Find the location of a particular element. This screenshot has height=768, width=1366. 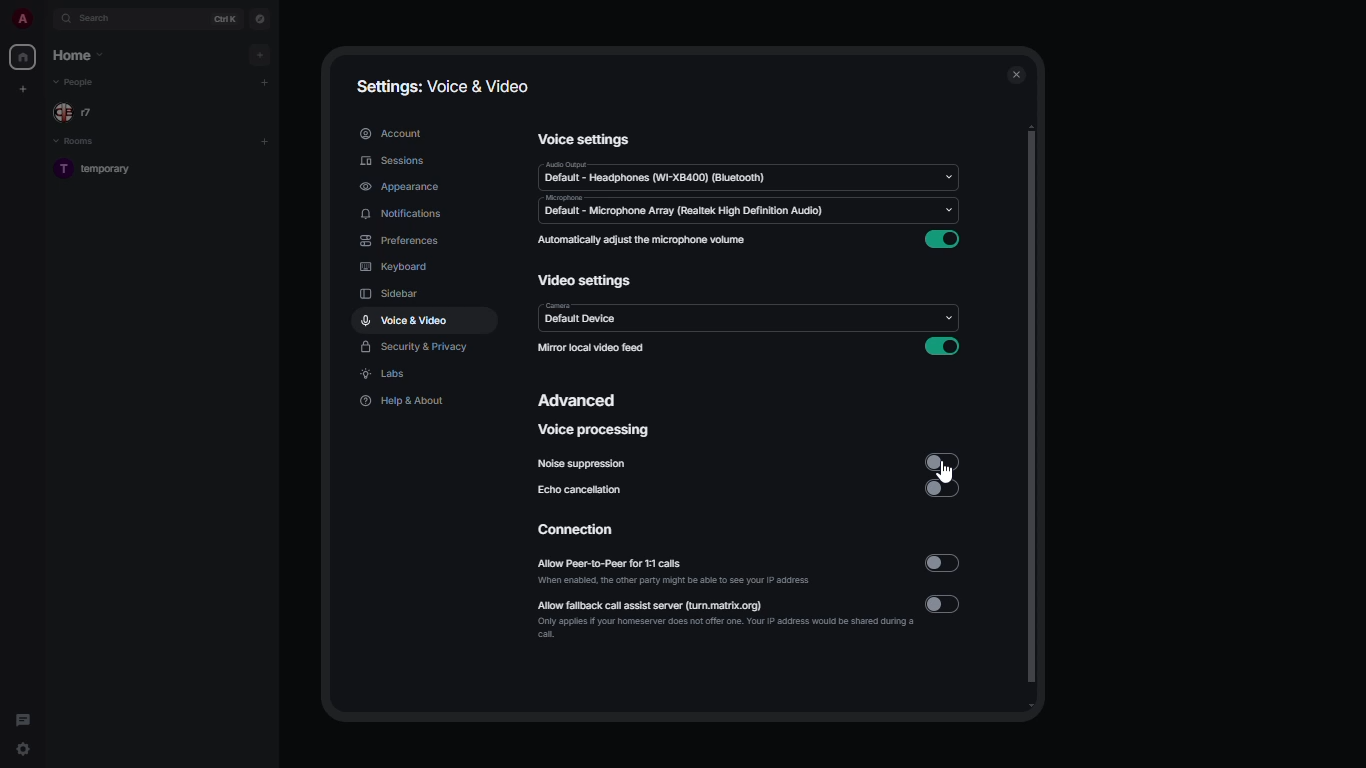

people is located at coordinates (77, 84).